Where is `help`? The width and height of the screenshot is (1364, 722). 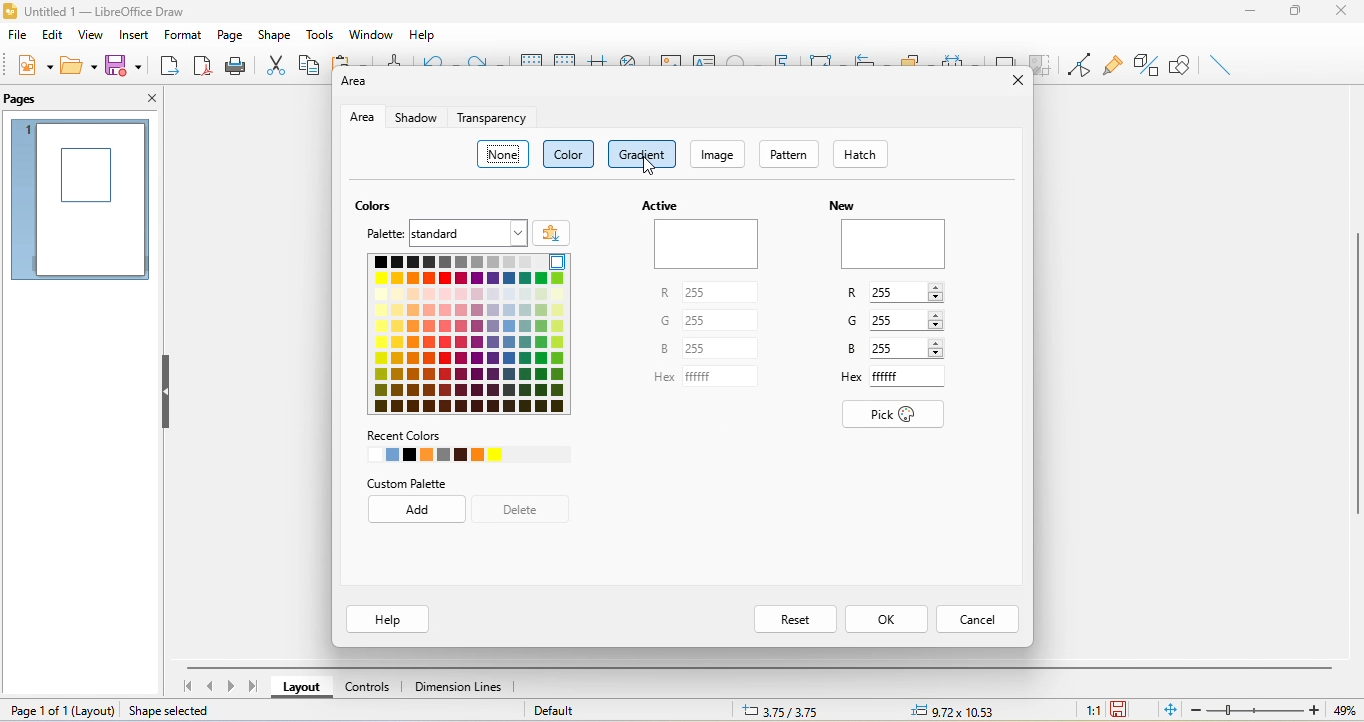
help is located at coordinates (426, 34).